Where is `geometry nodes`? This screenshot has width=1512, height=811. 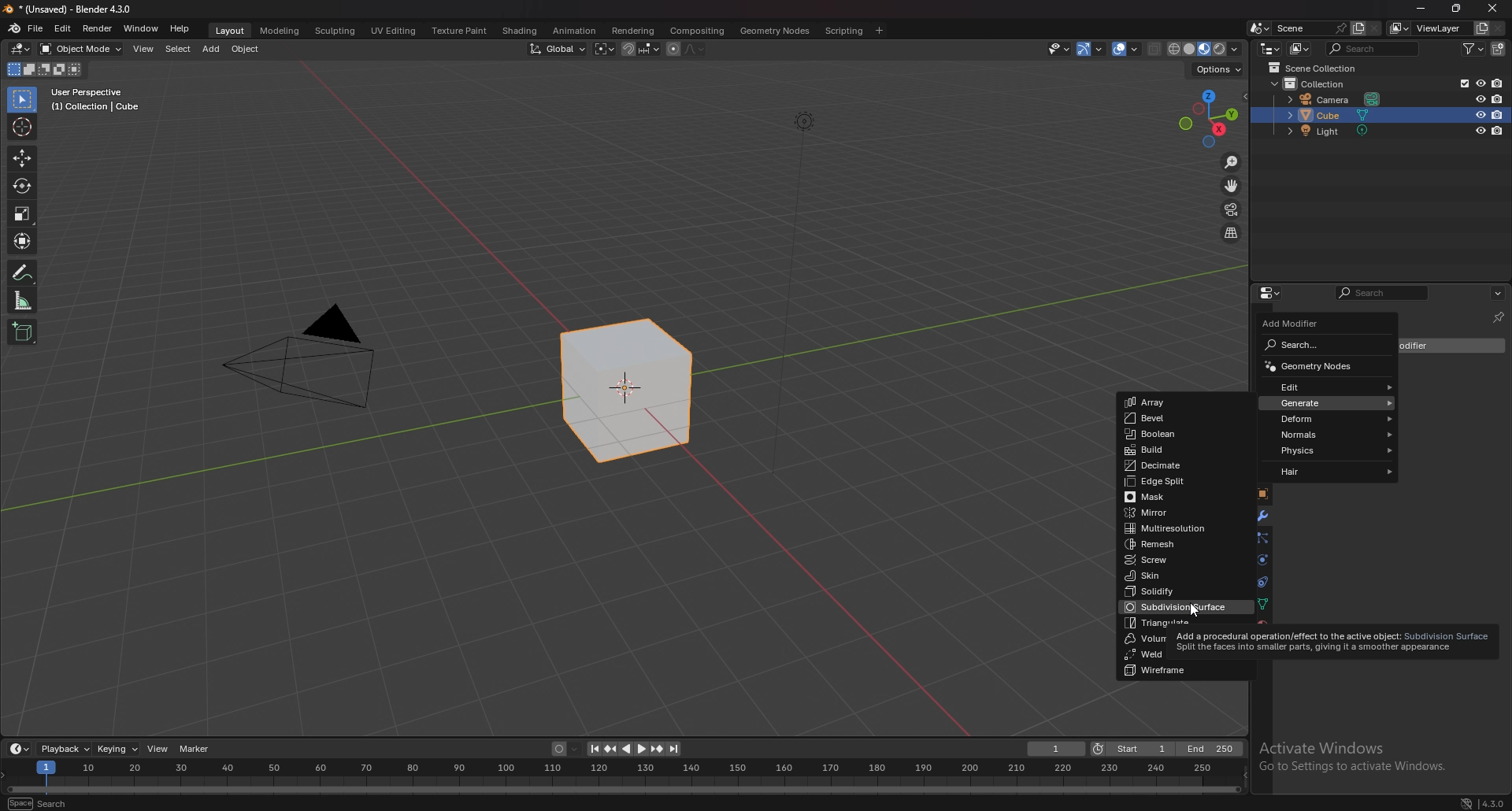 geometry nodes is located at coordinates (1325, 366).